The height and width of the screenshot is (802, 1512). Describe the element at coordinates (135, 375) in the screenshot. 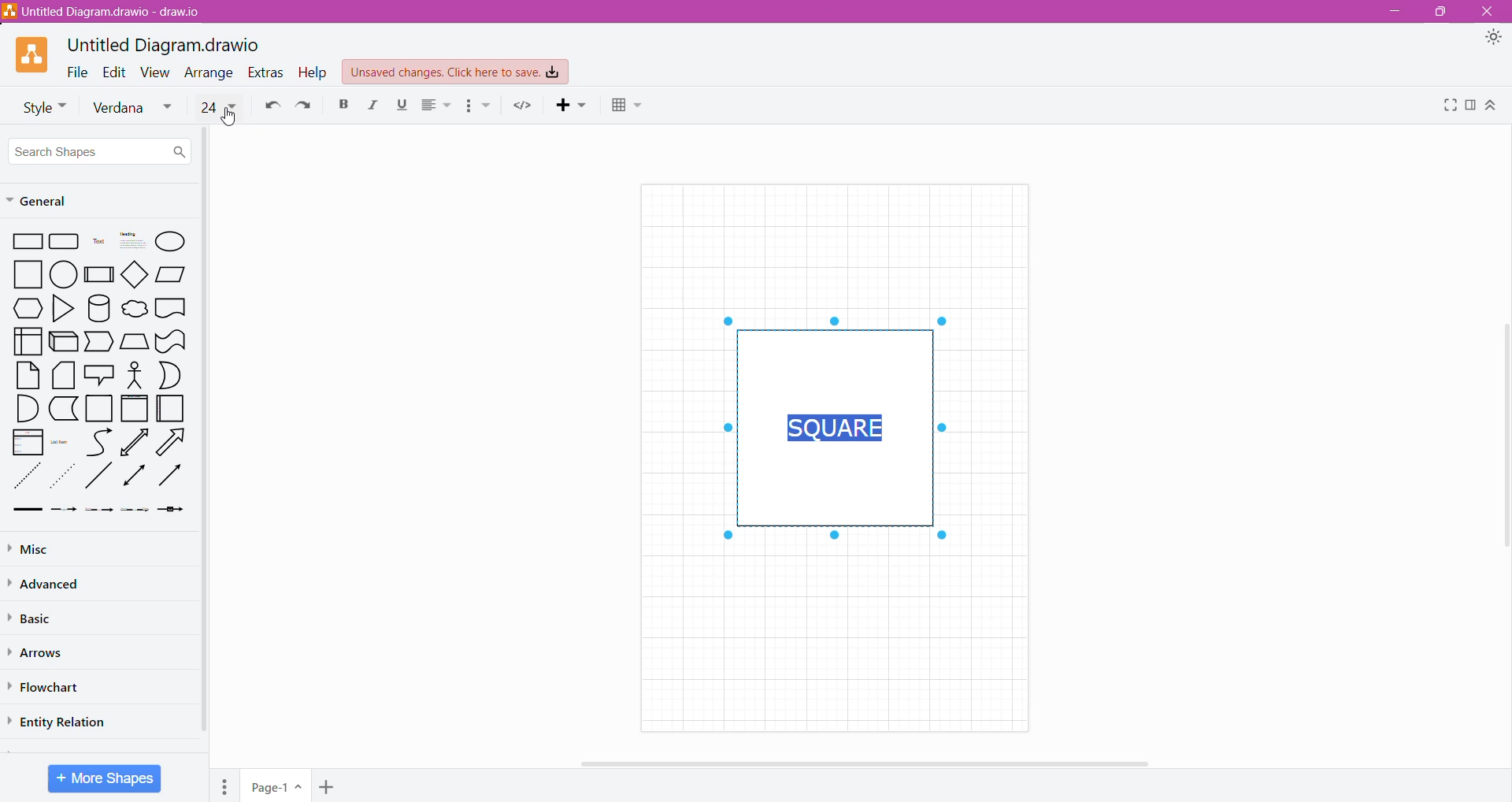

I see `Stick Figure ` at that location.